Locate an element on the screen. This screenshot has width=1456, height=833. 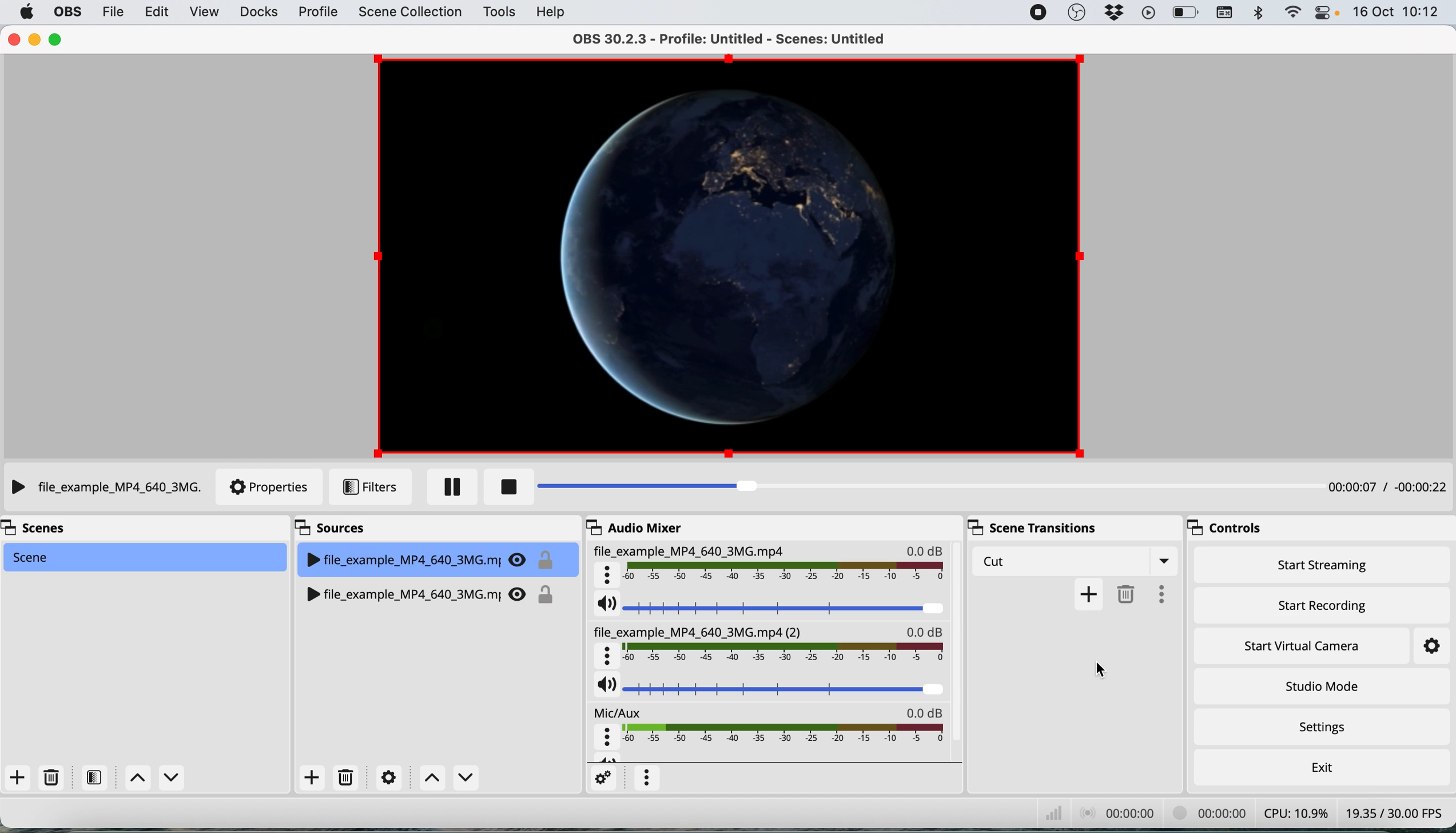
scene collection is located at coordinates (409, 12).